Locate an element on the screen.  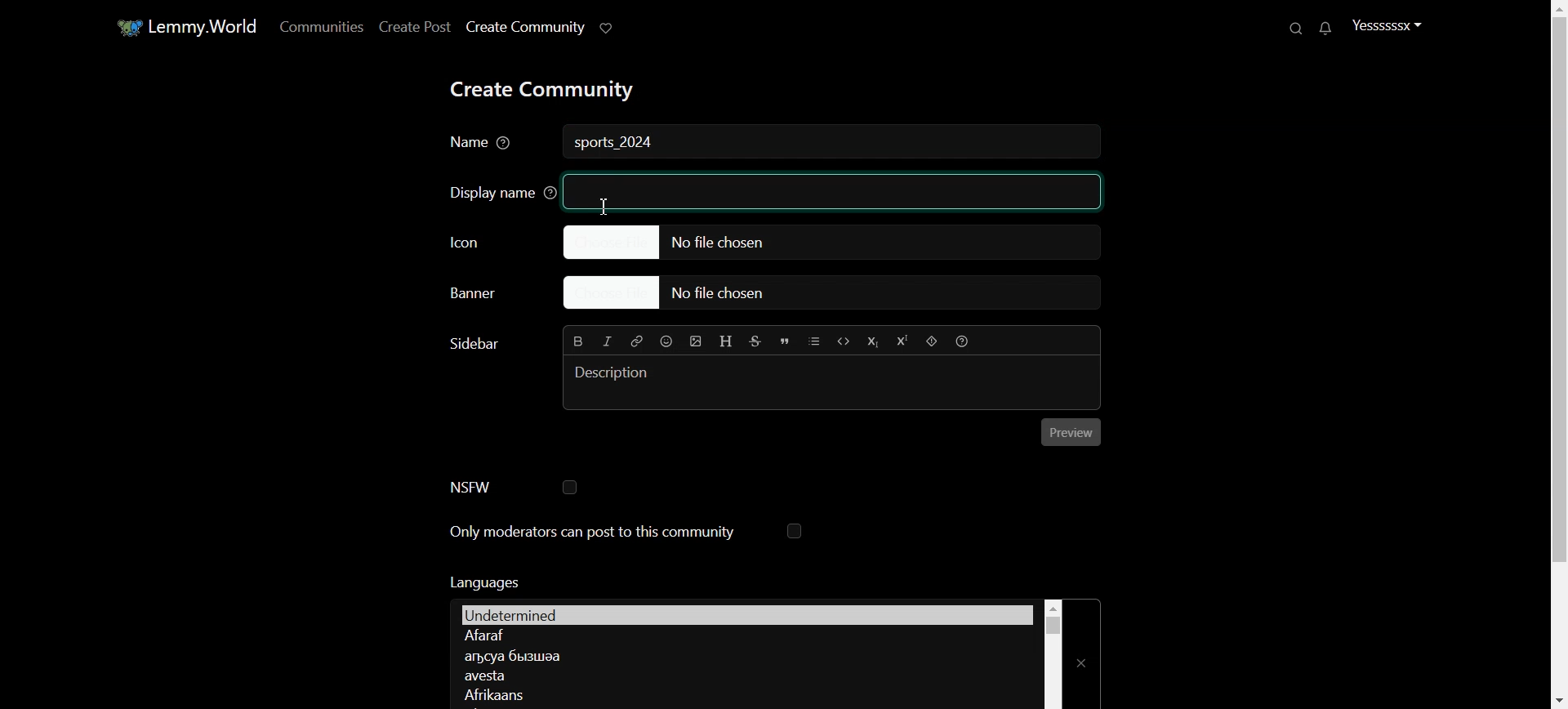
Choose file is located at coordinates (834, 294).